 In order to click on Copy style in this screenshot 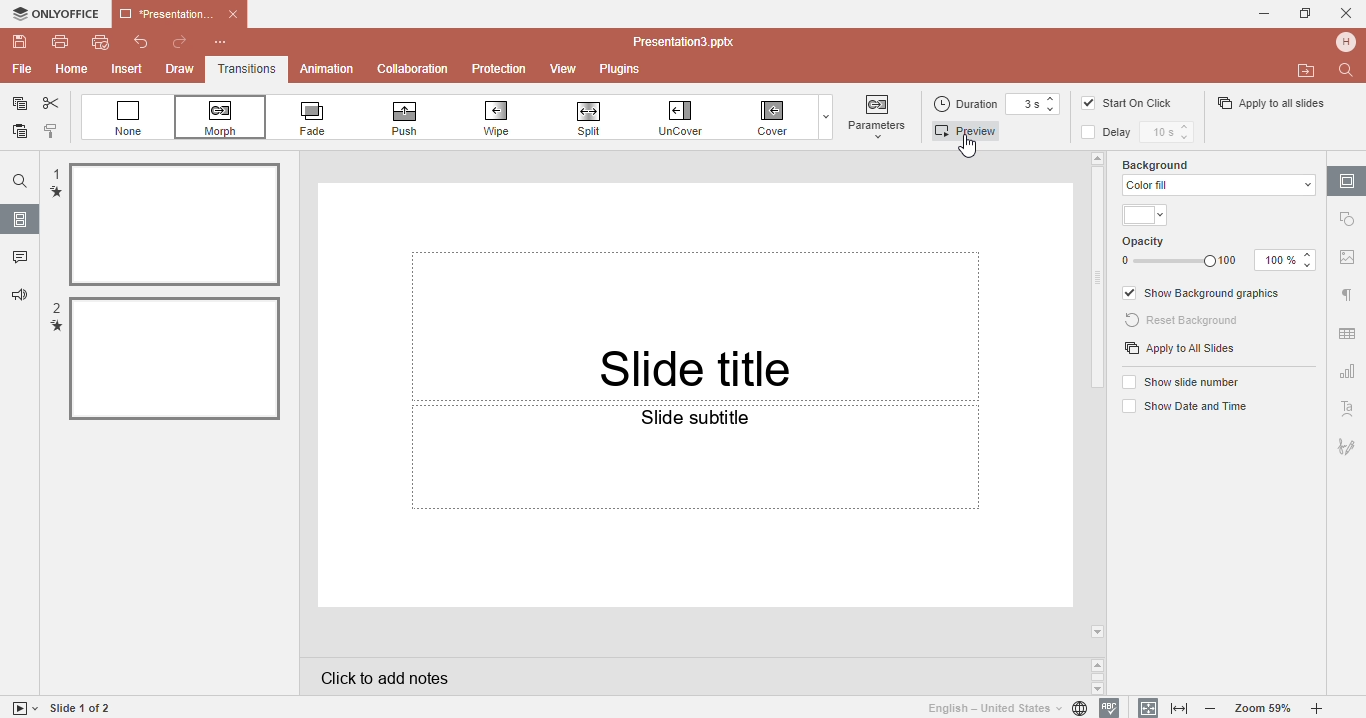, I will do `click(52, 133)`.